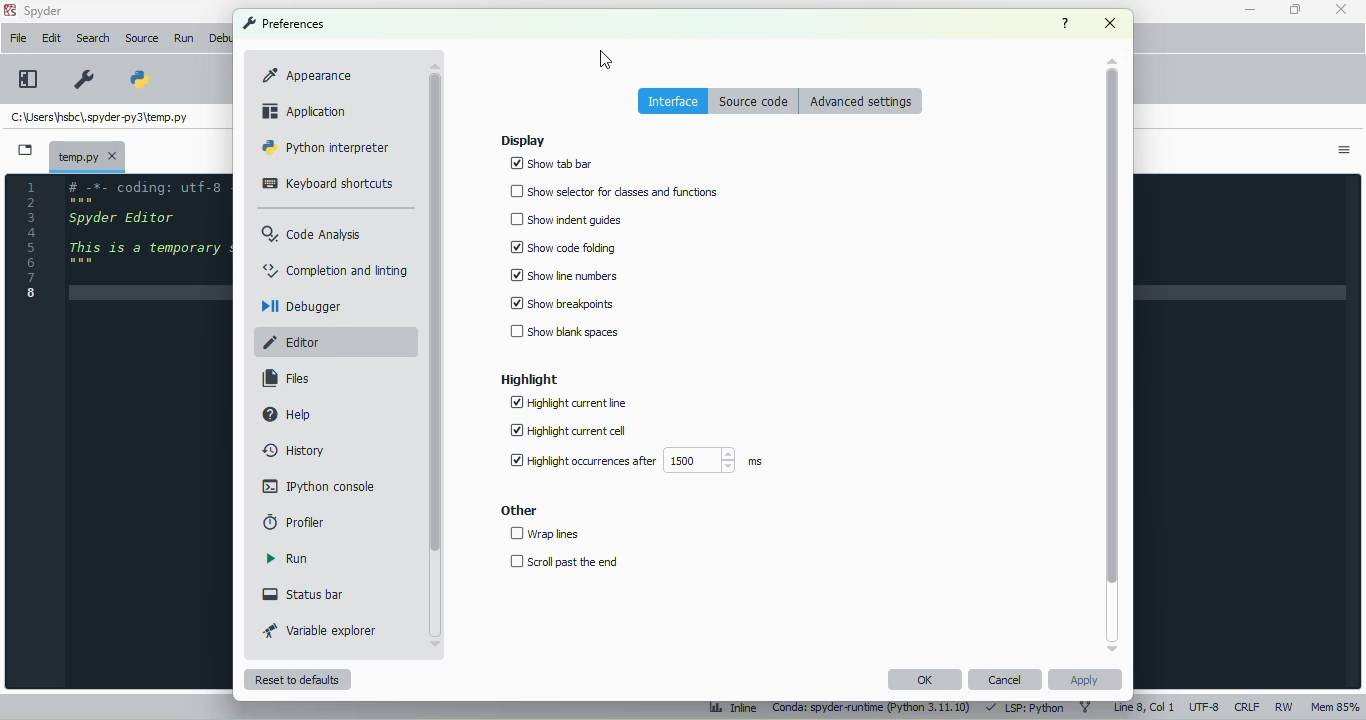 The image size is (1366, 720). What do you see at coordinates (94, 38) in the screenshot?
I see `search` at bounding box center [94, 38].